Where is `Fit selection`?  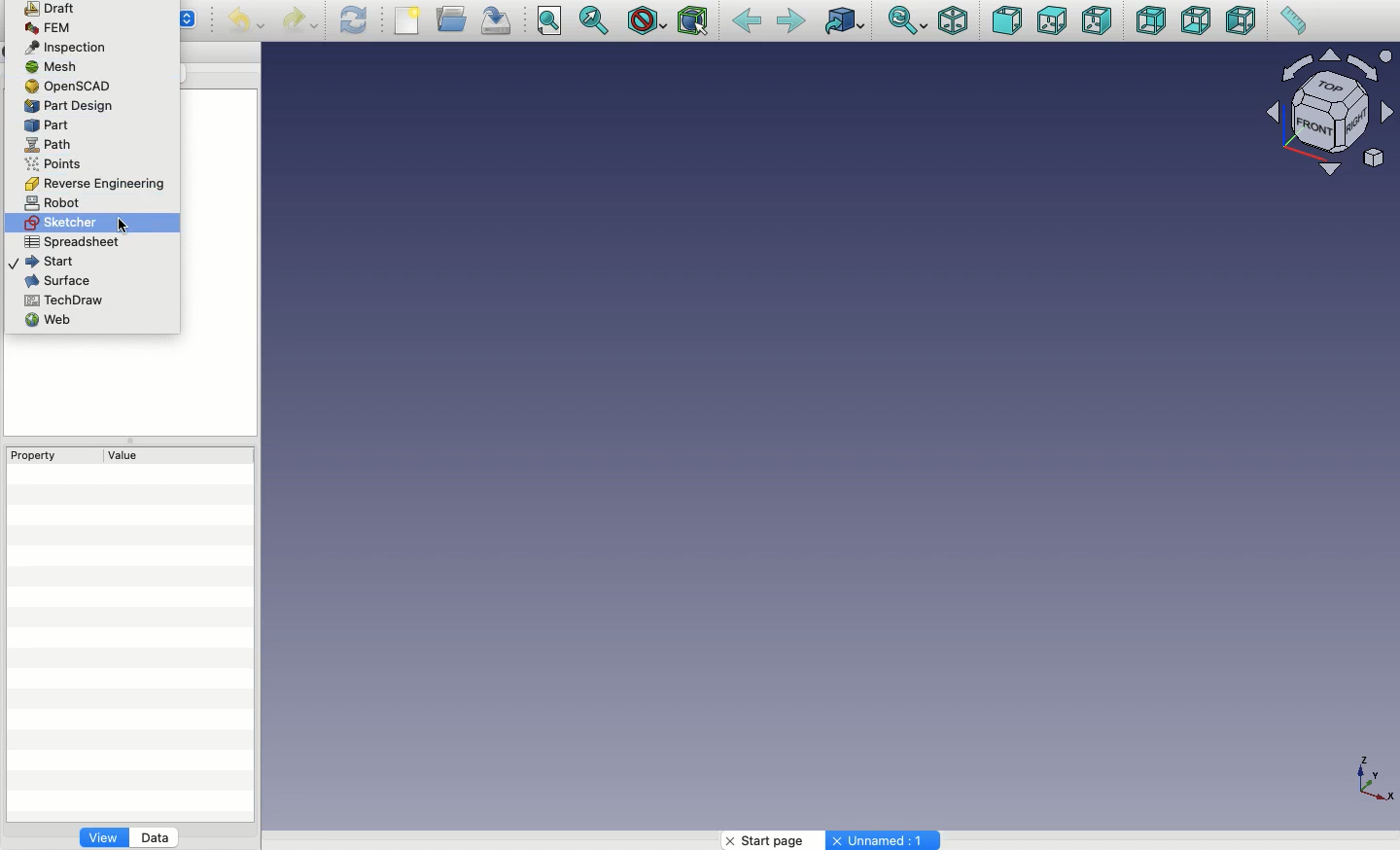
Fit selection is located at coordinates (596, 19).